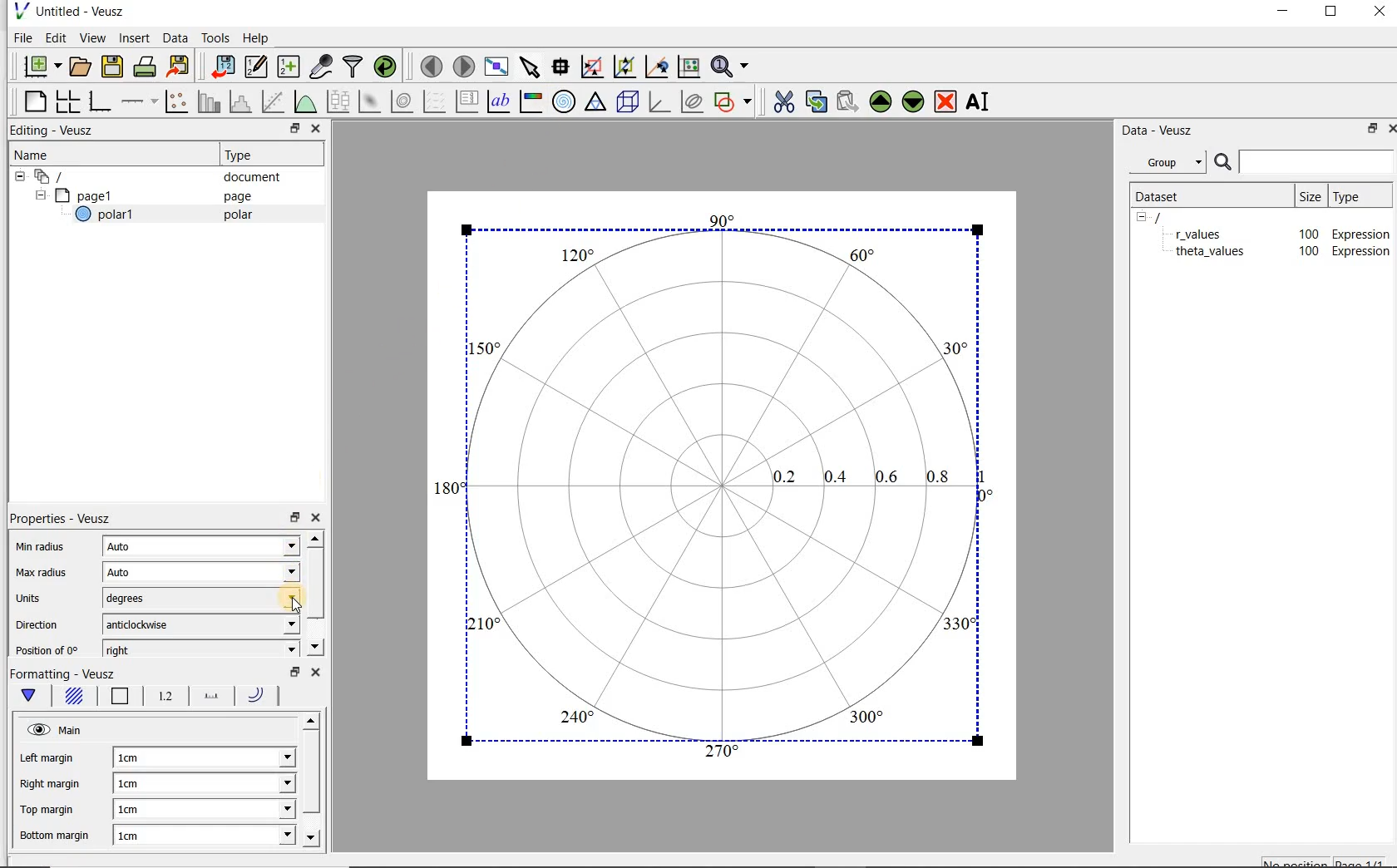 The height and width of the screenshot is (868, 1397). What do you see at coordinates (142, 757) in the screenshot?
I see `1cm` at bounding box center [142, 757].